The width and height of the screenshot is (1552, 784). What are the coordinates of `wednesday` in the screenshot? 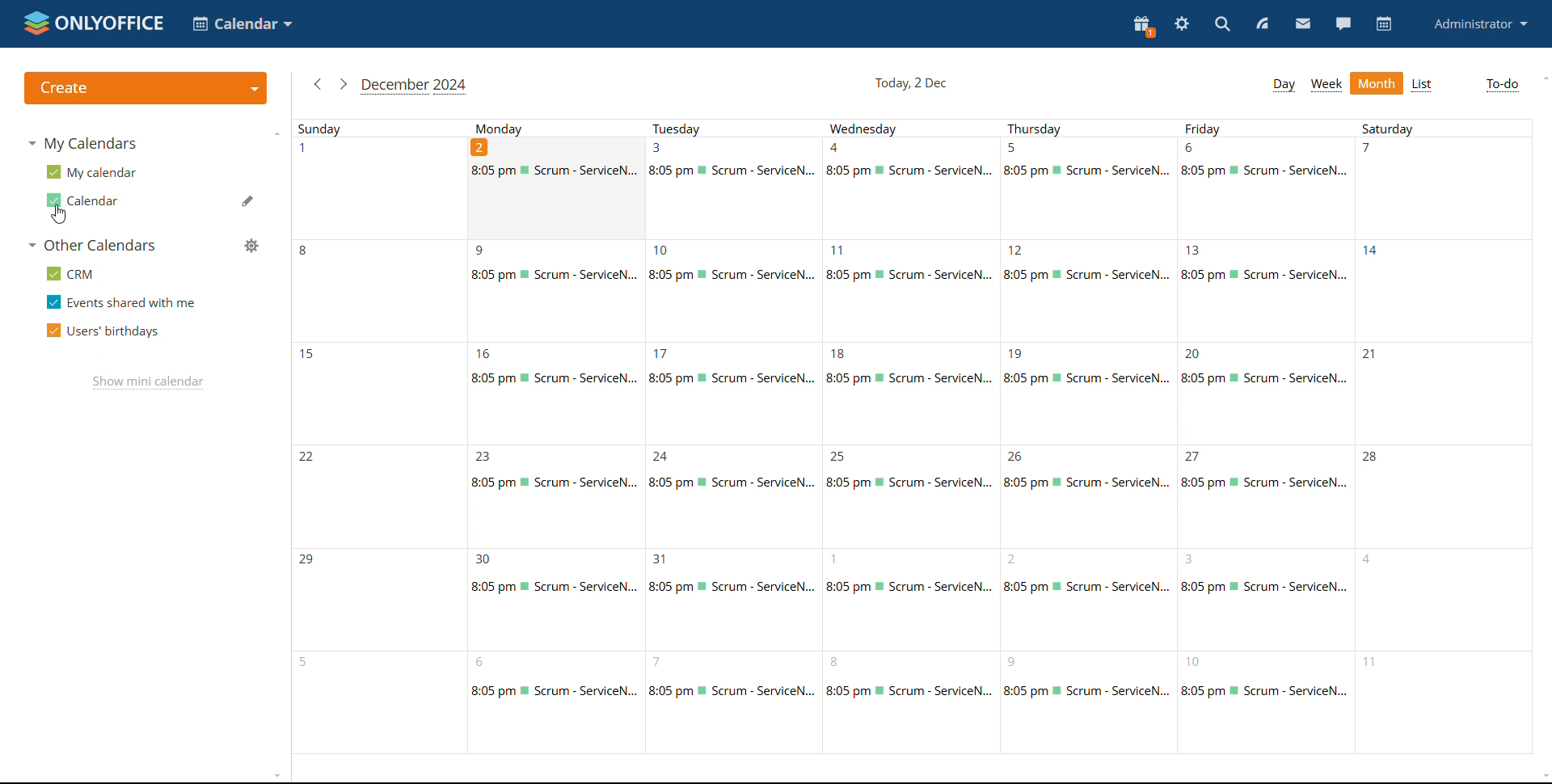 It's located at (914, 129).